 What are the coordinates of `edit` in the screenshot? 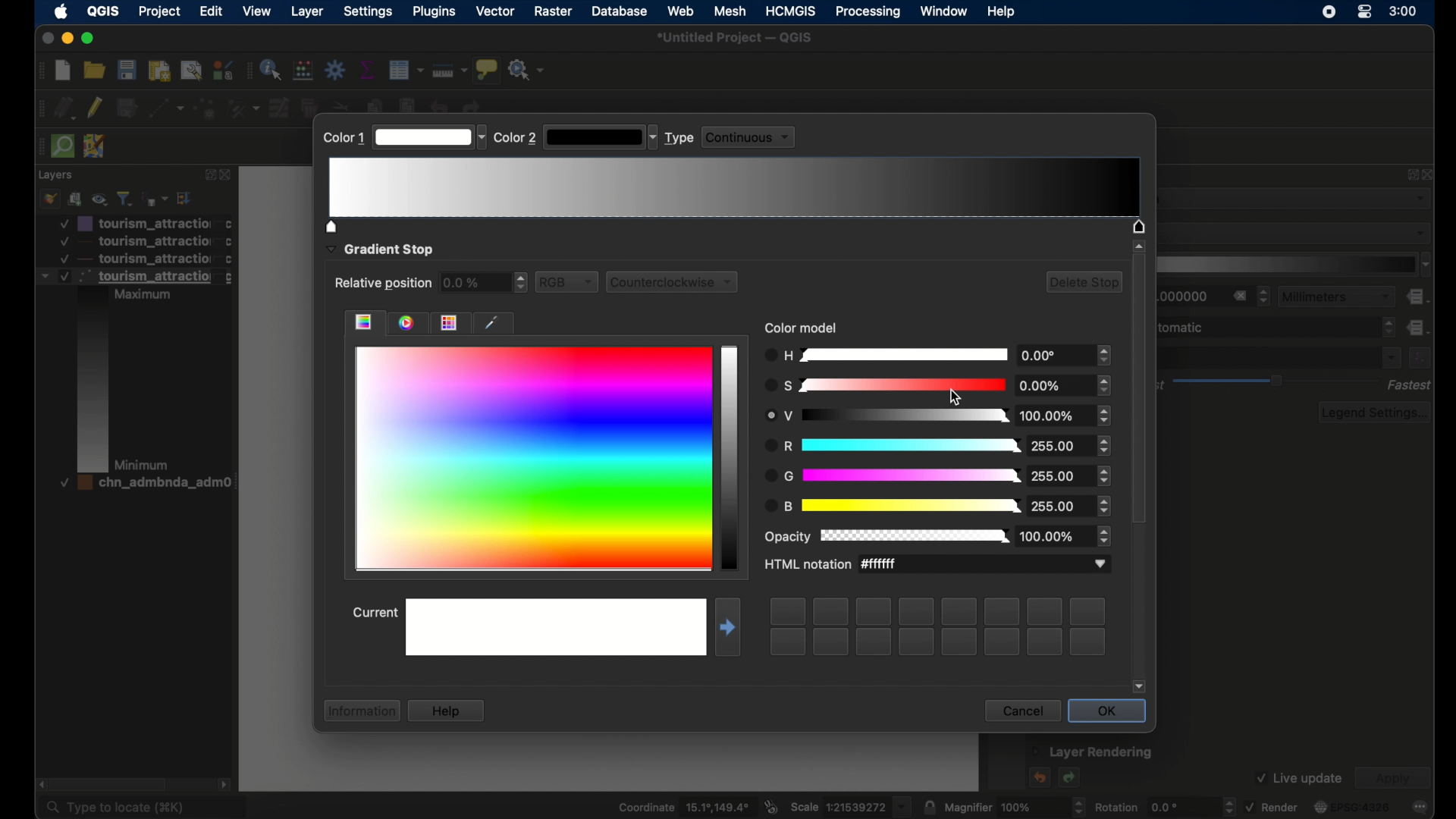 It's located at (209, 11).